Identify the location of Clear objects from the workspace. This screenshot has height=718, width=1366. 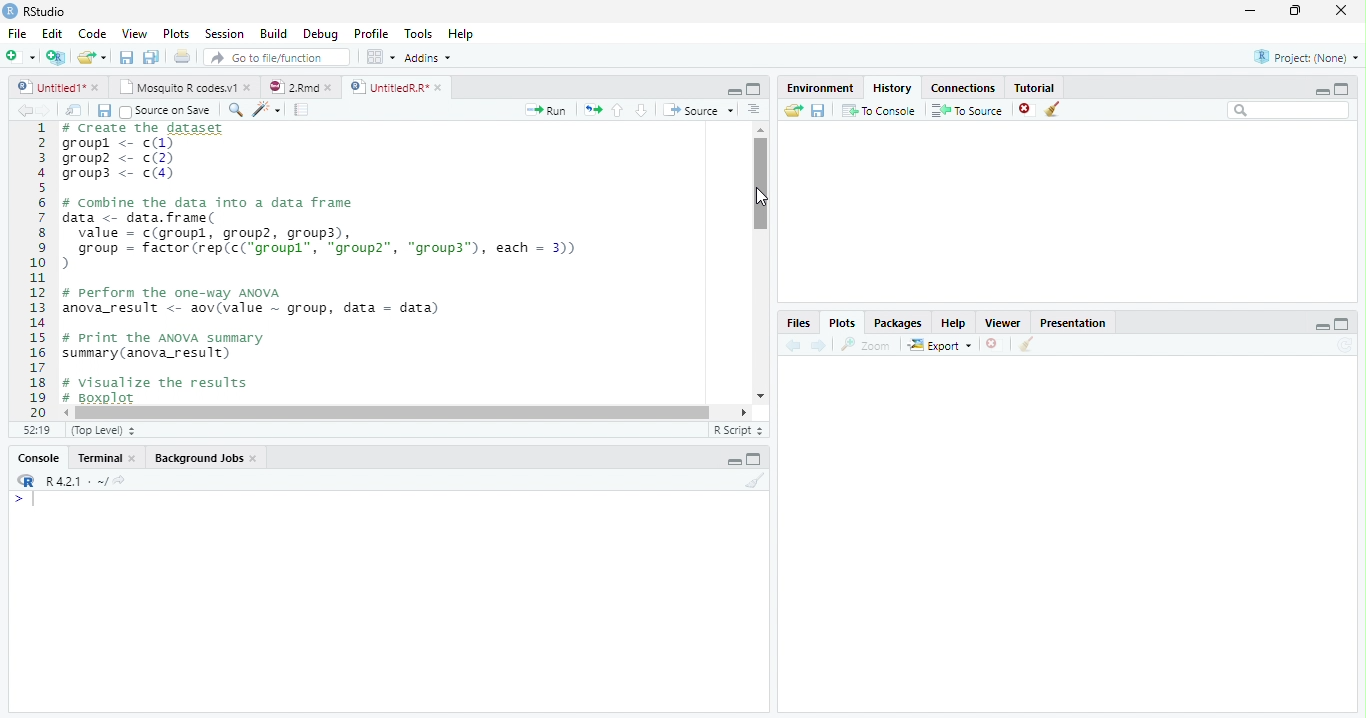
(1051, 106).